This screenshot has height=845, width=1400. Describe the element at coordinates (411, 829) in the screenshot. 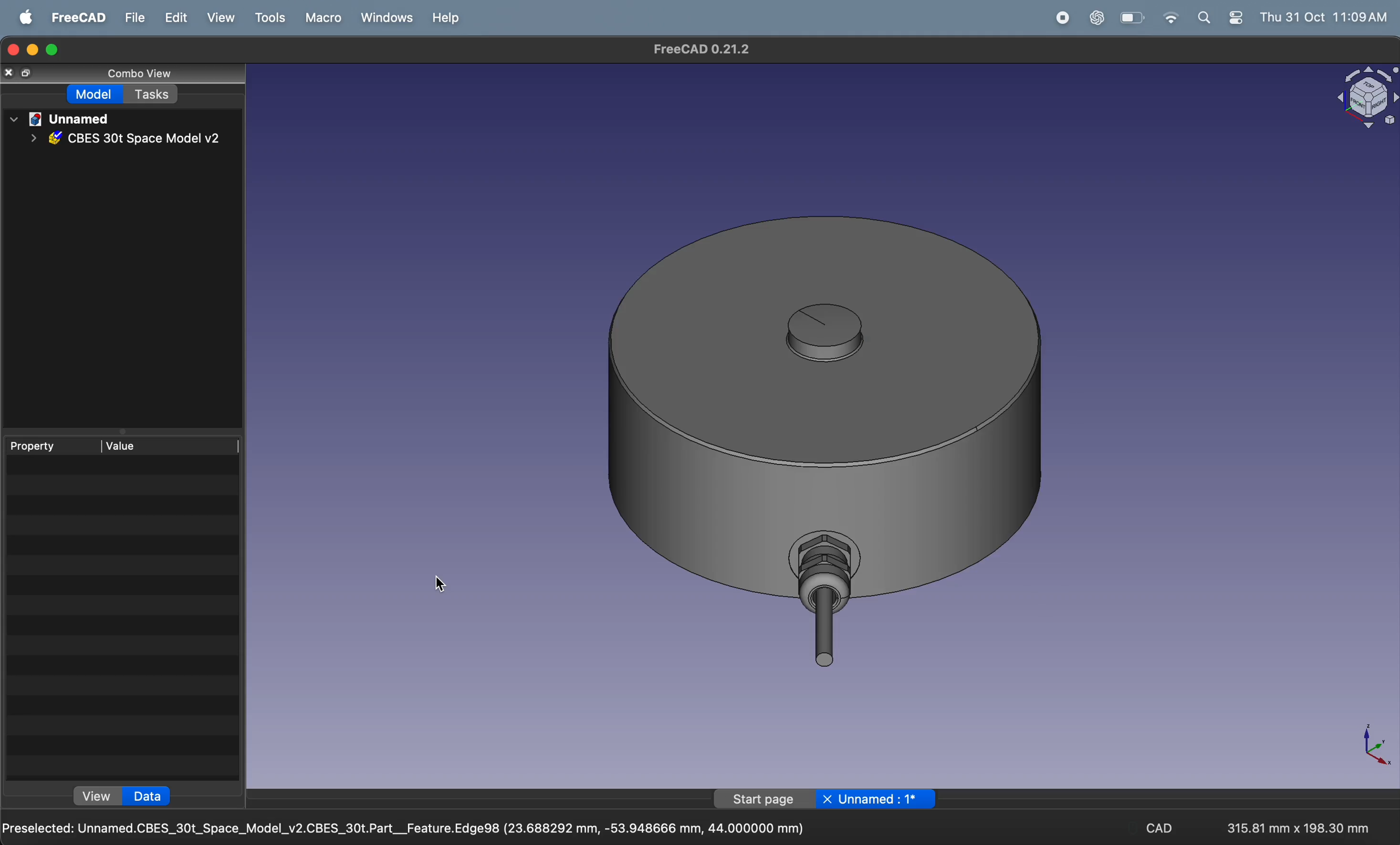

I see `Preselected: Unnamed.CBES_30t_Space_Model_v2.CBES_30t.Part__Feature.Edge98 (23.688292 mm, -53.948666 mm, 44.000000 mm)` at that location.